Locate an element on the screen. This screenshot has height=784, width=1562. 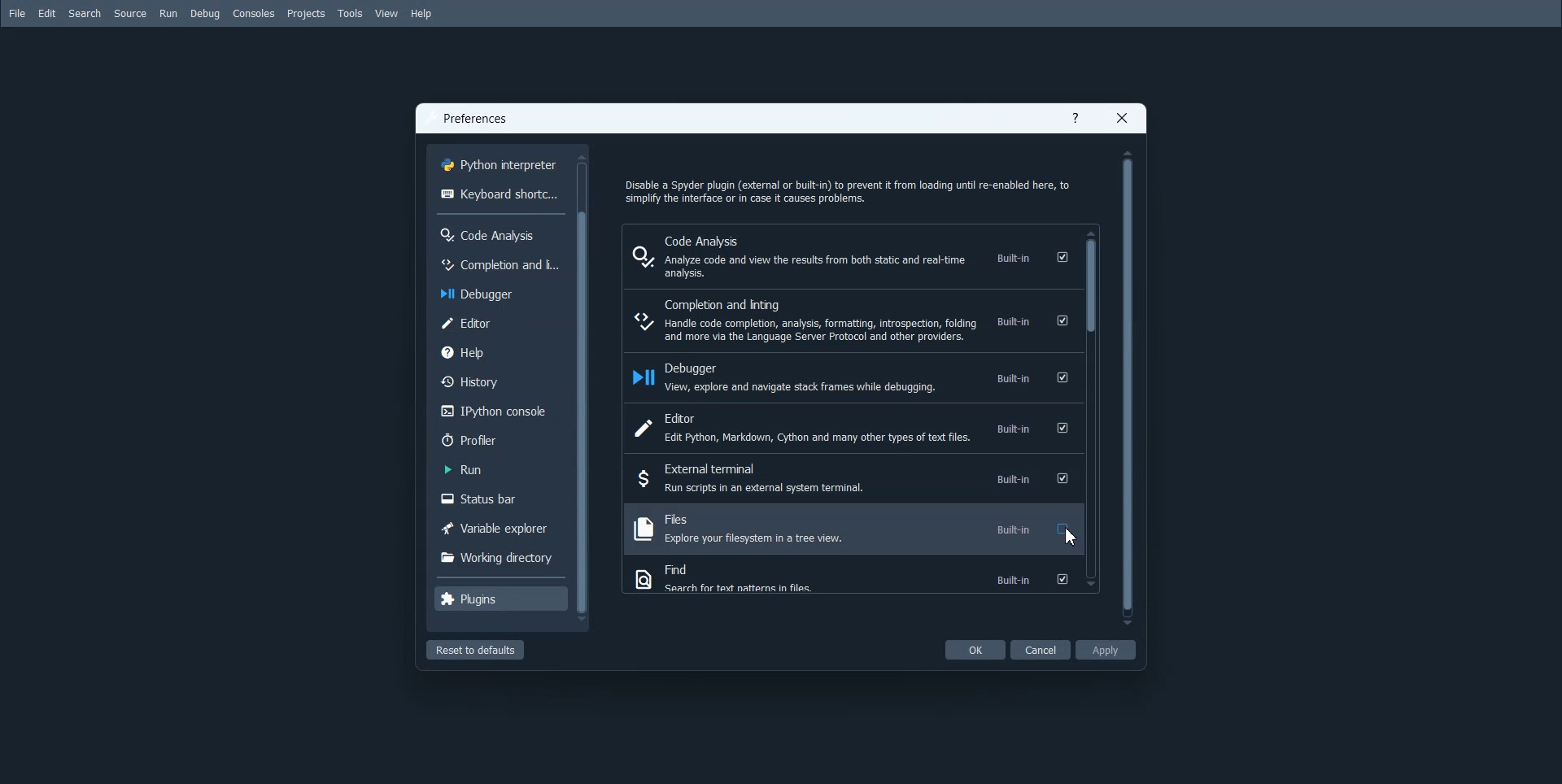
Tools is located at coordinates (350, 14).